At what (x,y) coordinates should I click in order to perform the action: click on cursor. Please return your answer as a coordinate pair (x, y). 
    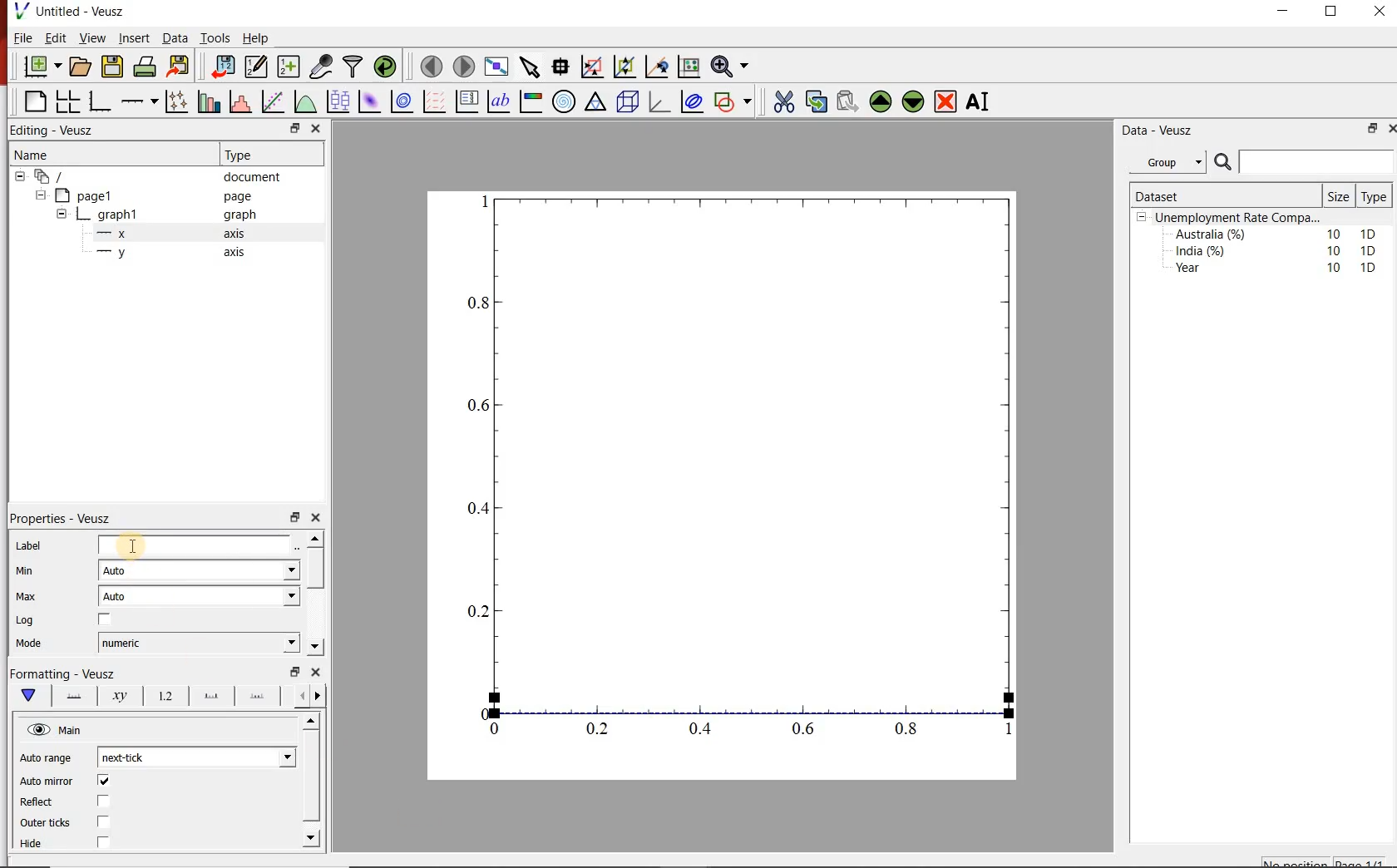
    Looking at the image, I should click on (135, 544).